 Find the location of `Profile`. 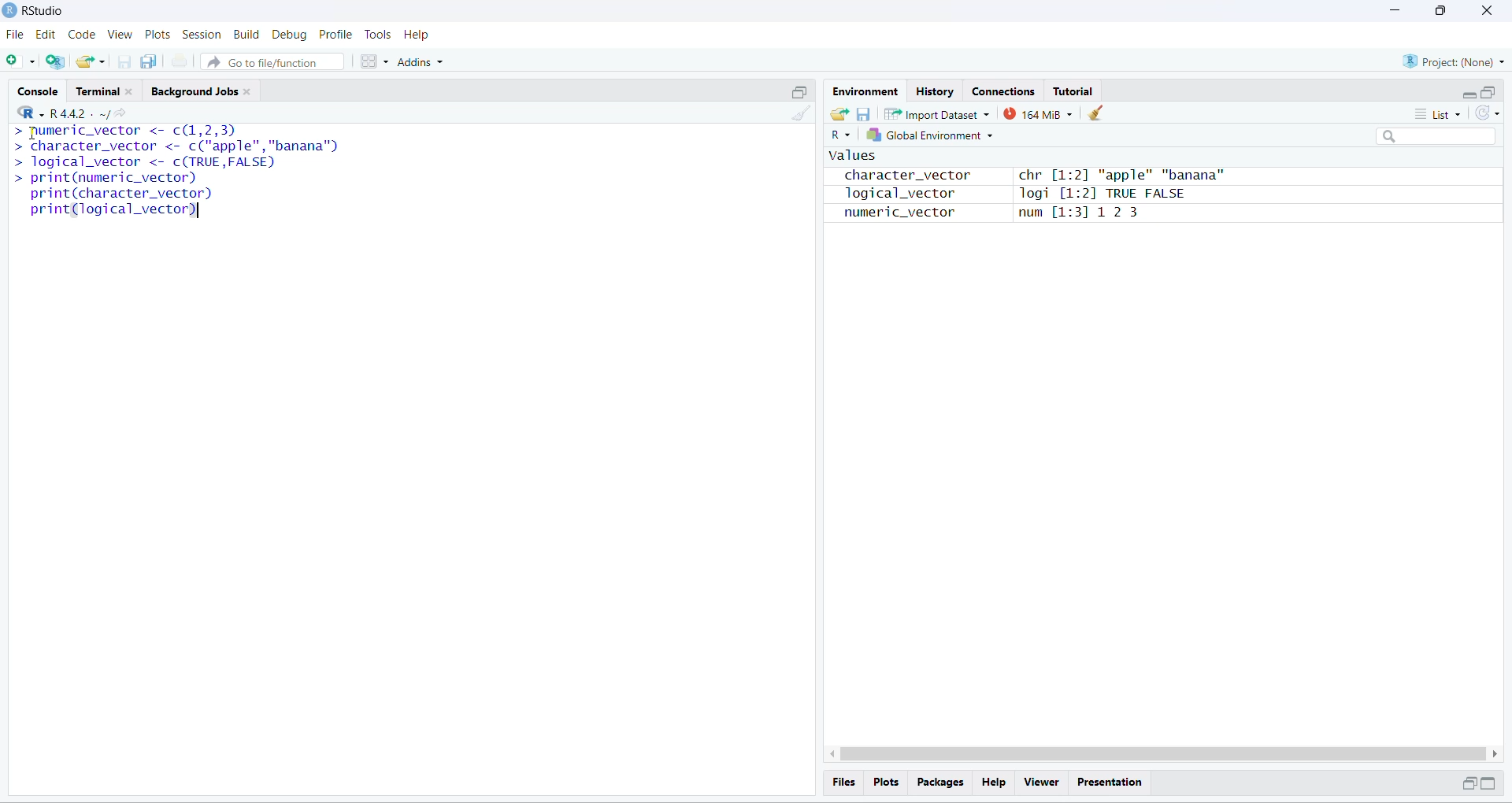

Profile is located at coordinates (335, 35).